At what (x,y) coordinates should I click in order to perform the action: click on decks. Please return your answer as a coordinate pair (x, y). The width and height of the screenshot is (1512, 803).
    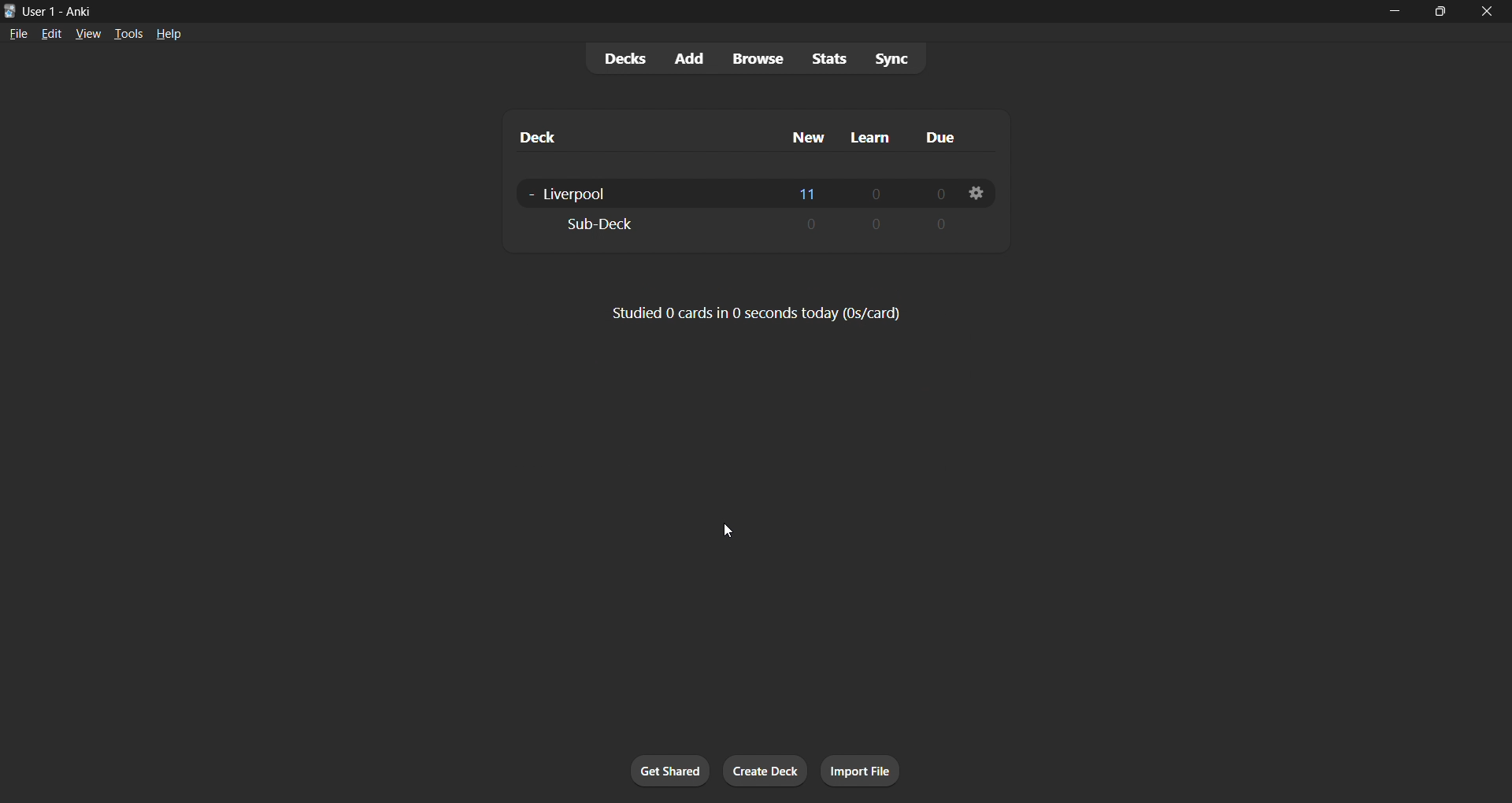
    Looking at the image, I should click on (618, 57).